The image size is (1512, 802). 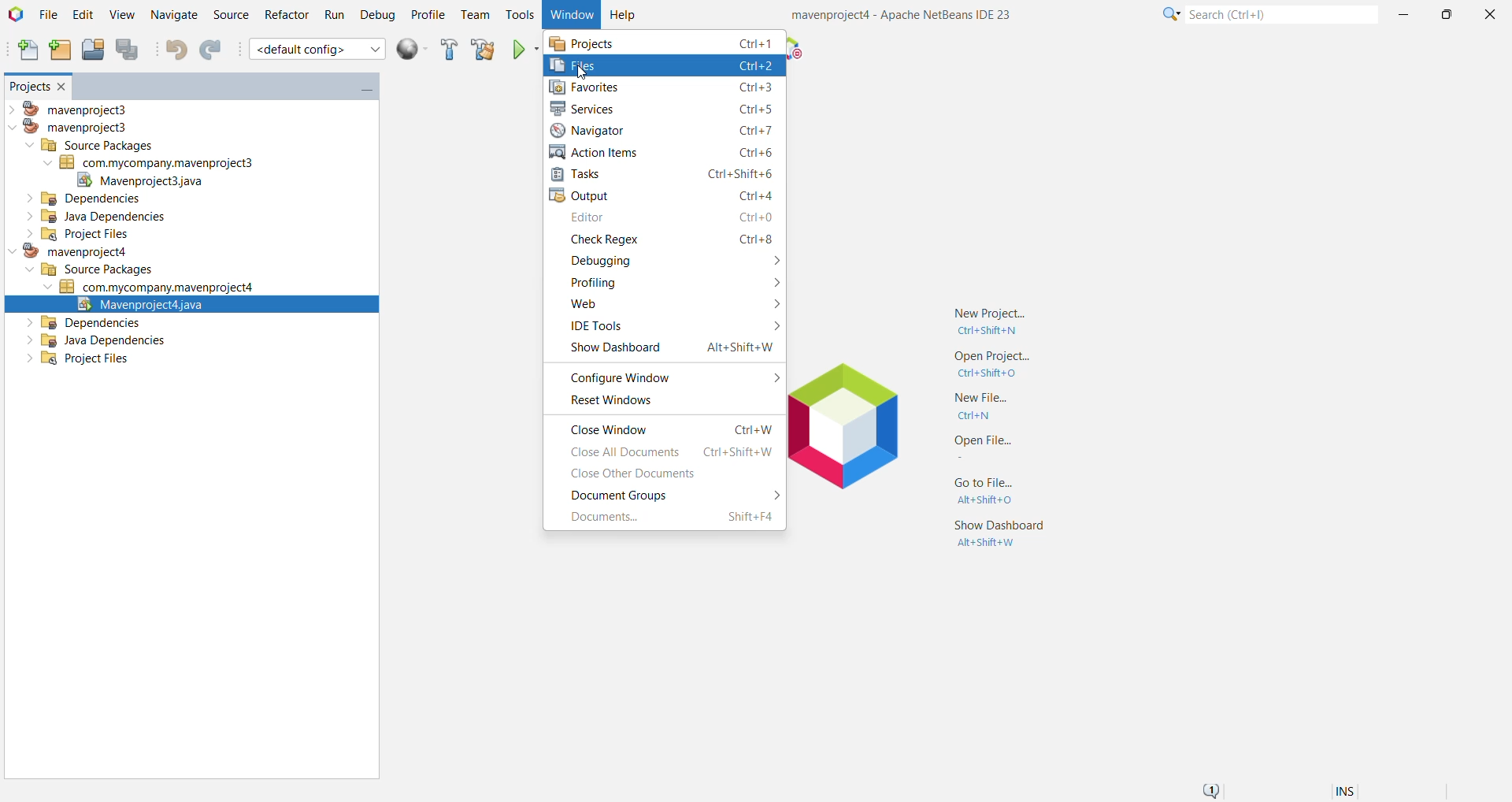 What do you see at coordinates (984, 488) in the screenshot?
I see `Go to File` at bounding box center [984, 488].